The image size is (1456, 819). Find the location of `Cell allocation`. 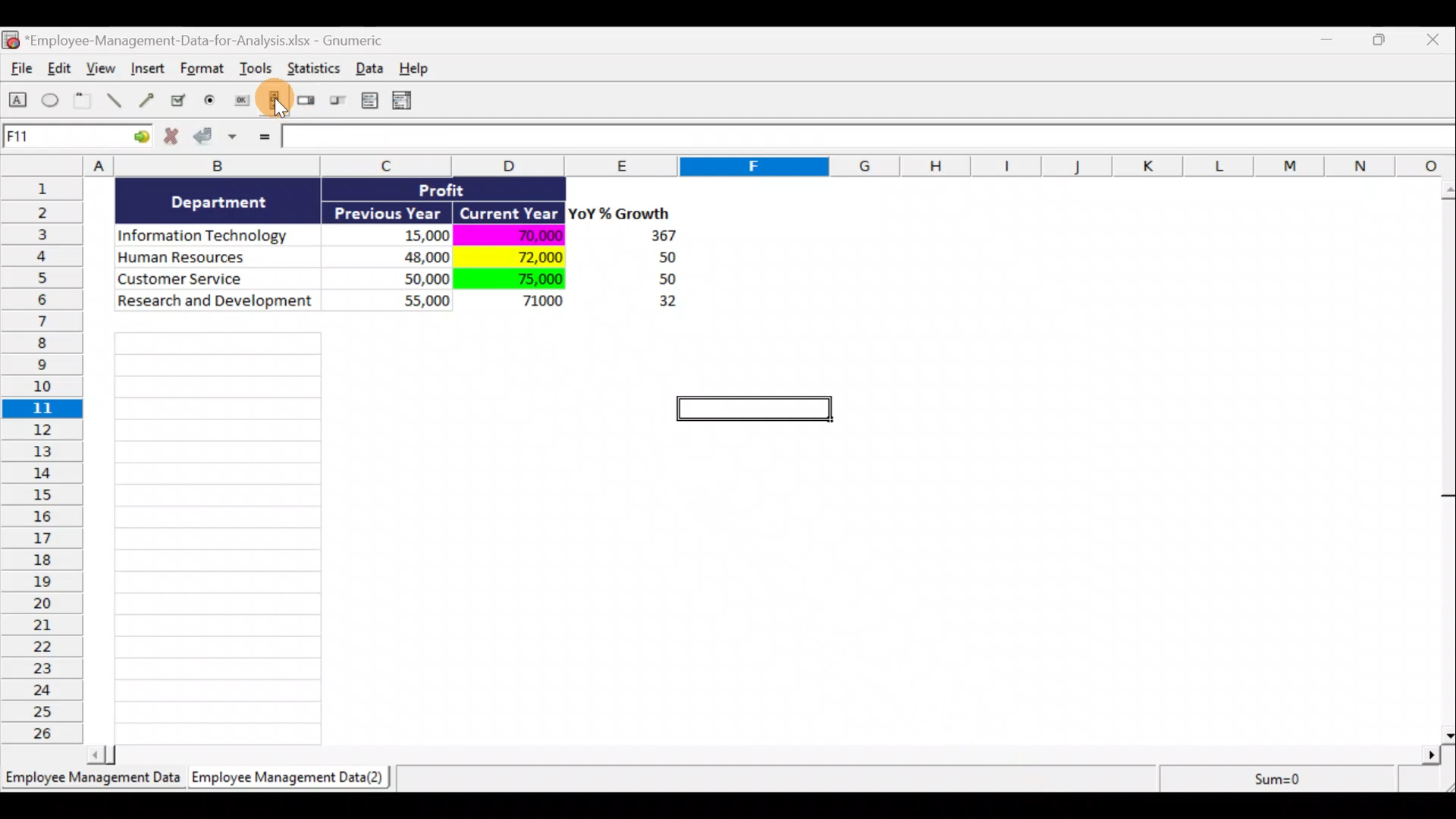

Cell allocation is located at coordinates (77, 139).